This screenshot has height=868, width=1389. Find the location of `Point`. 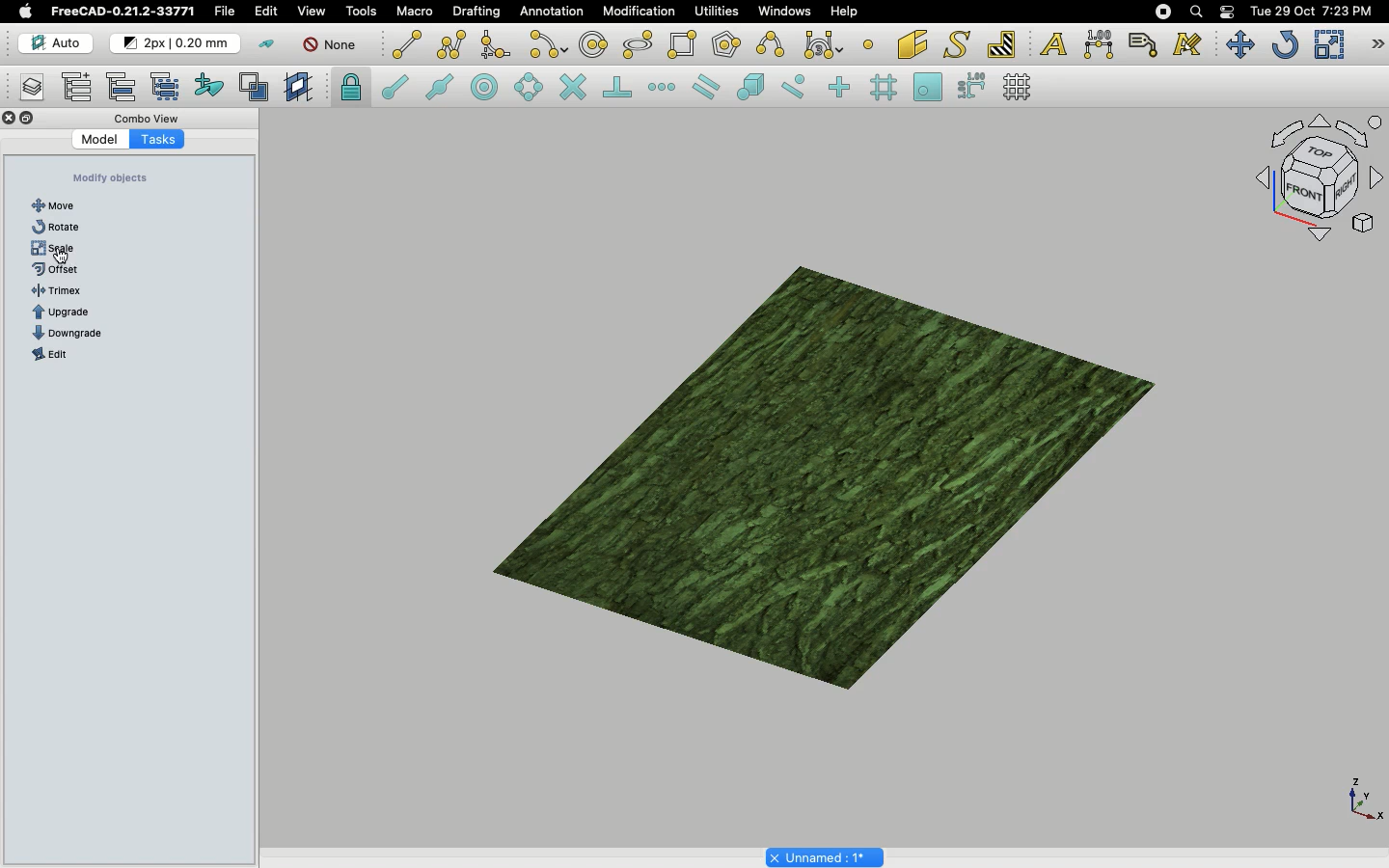

Point is located at coordinates (872, 43).